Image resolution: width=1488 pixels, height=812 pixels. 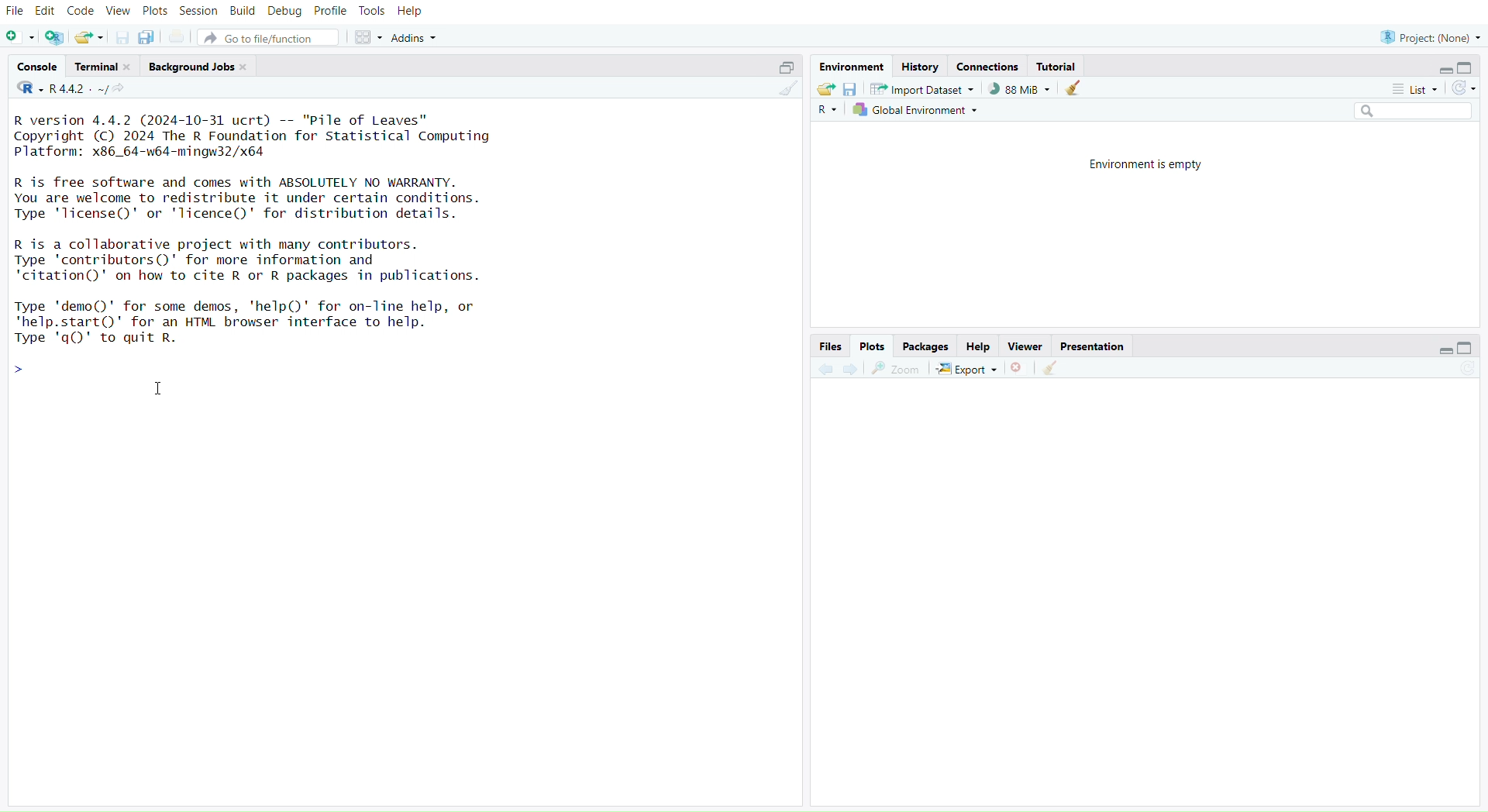 I want to click on expand, so click(x=1440, y=351).